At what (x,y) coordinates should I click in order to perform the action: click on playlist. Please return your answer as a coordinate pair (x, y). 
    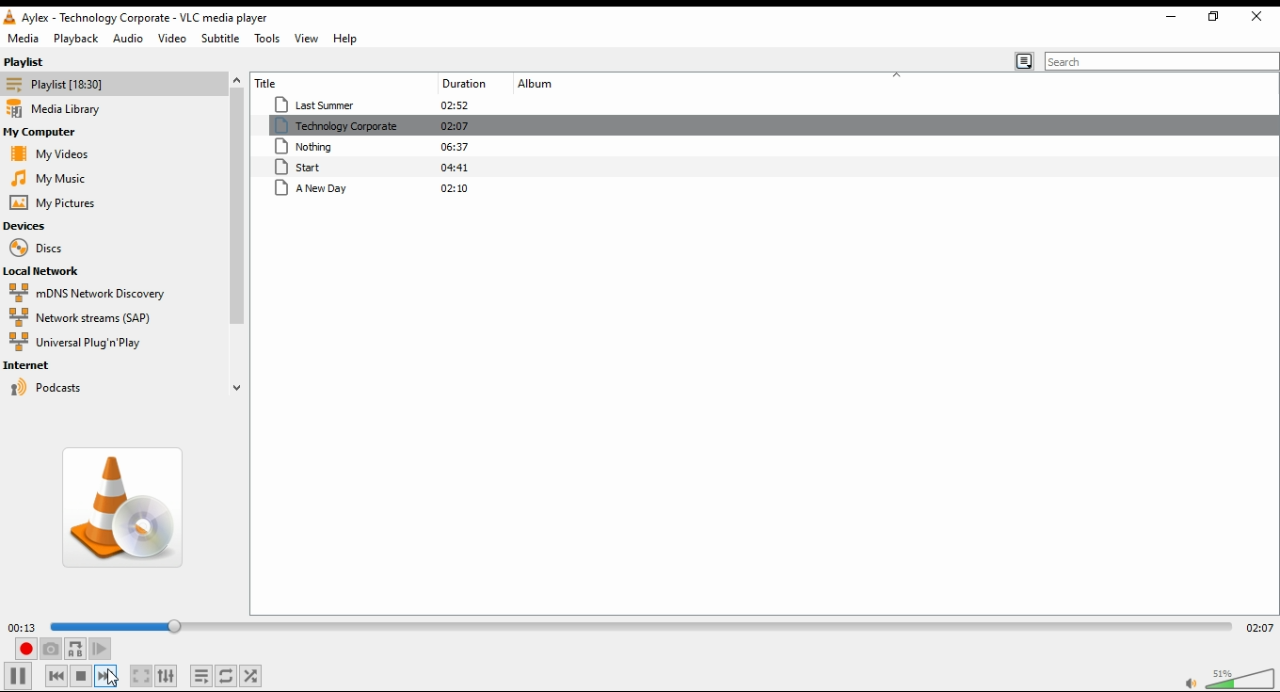
    Looking at the image, I should click on (28, 63).